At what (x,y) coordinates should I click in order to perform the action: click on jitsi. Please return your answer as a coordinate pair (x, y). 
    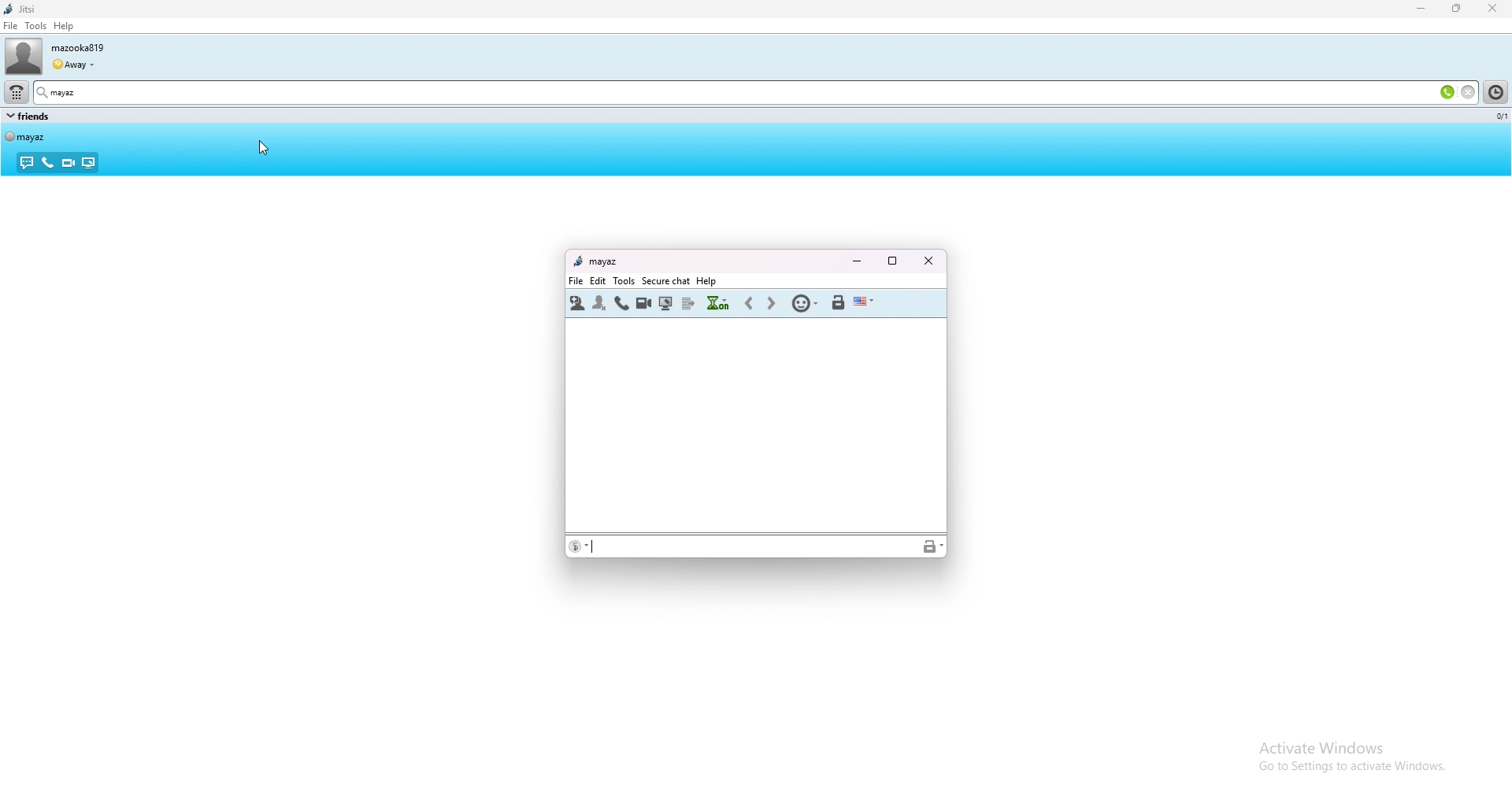
    Looking at the image, I should click on (50, 9).